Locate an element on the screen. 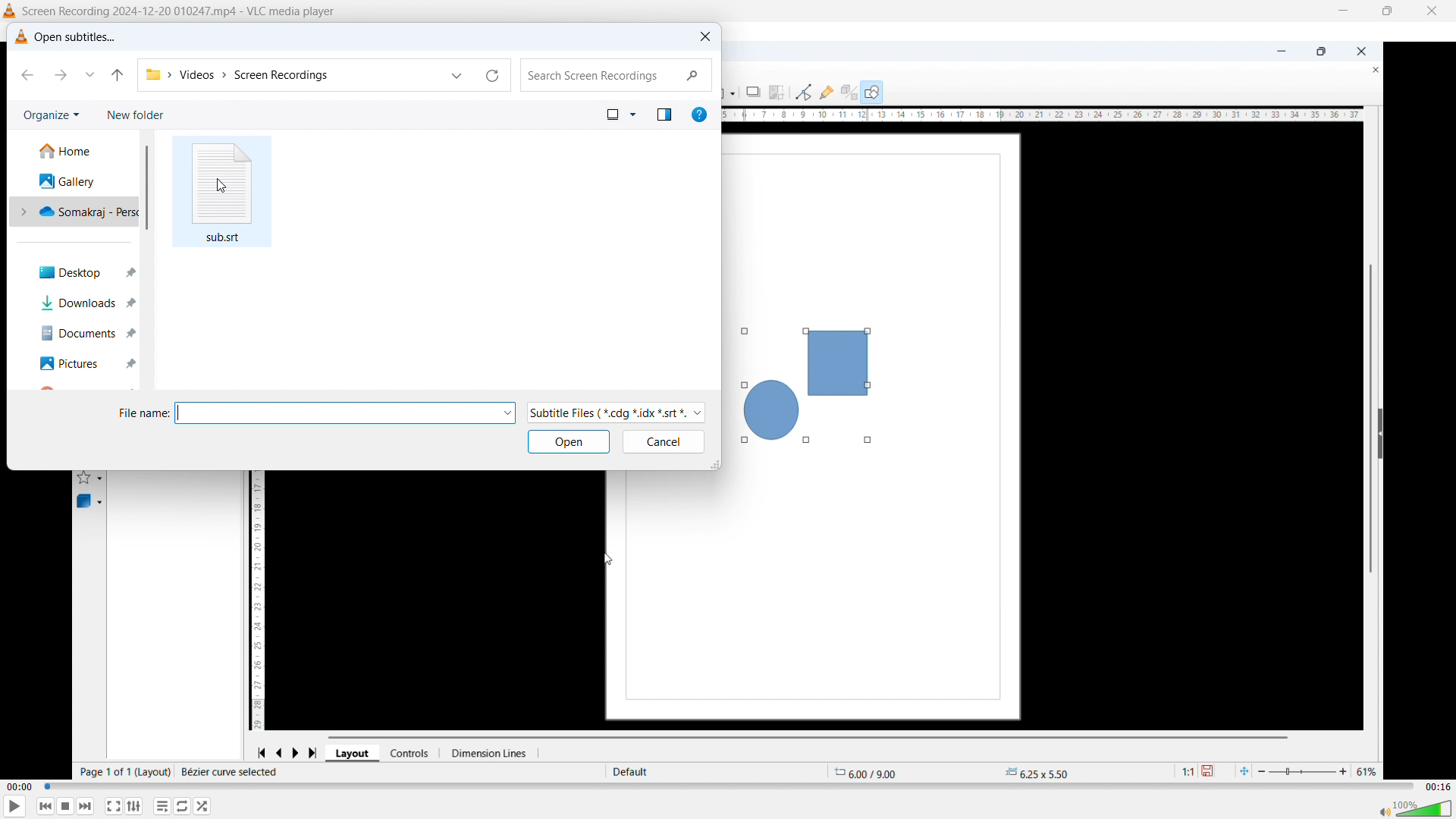  ruler is located at coordinates (1044, 115).